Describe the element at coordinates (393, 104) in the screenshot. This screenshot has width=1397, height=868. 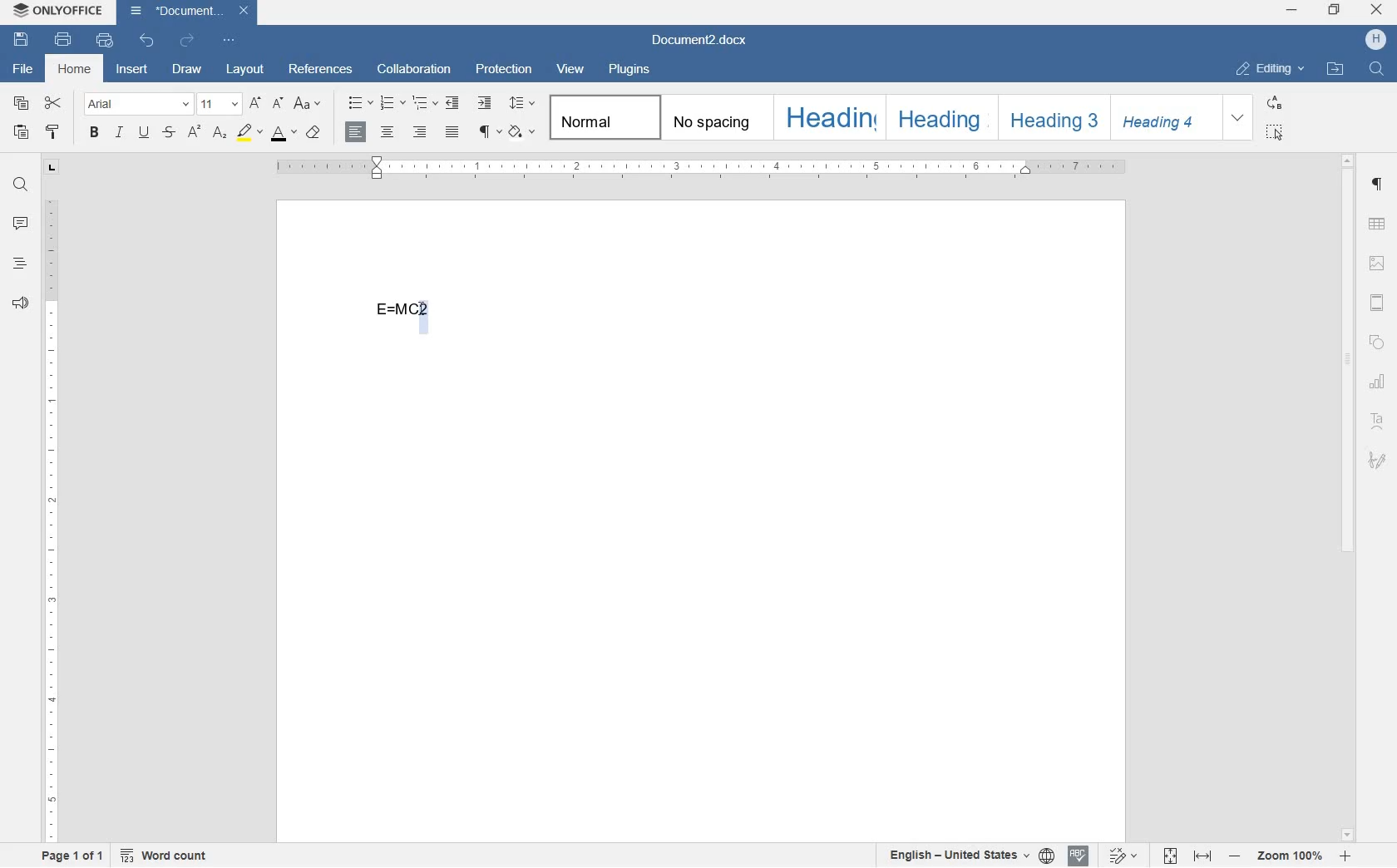
I see `numbering` at that location.